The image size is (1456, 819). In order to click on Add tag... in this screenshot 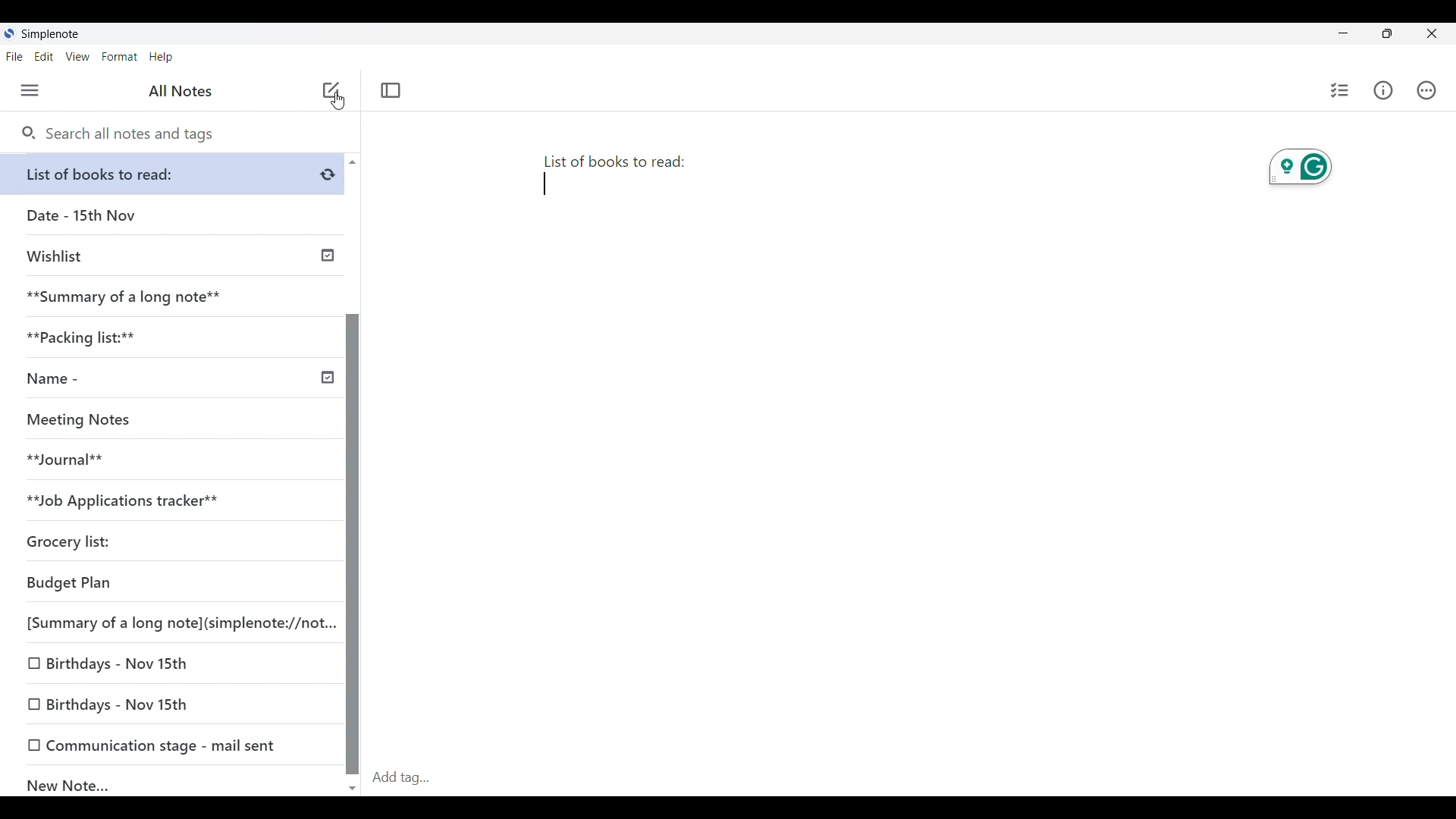, I will do `click(410, 777)`.